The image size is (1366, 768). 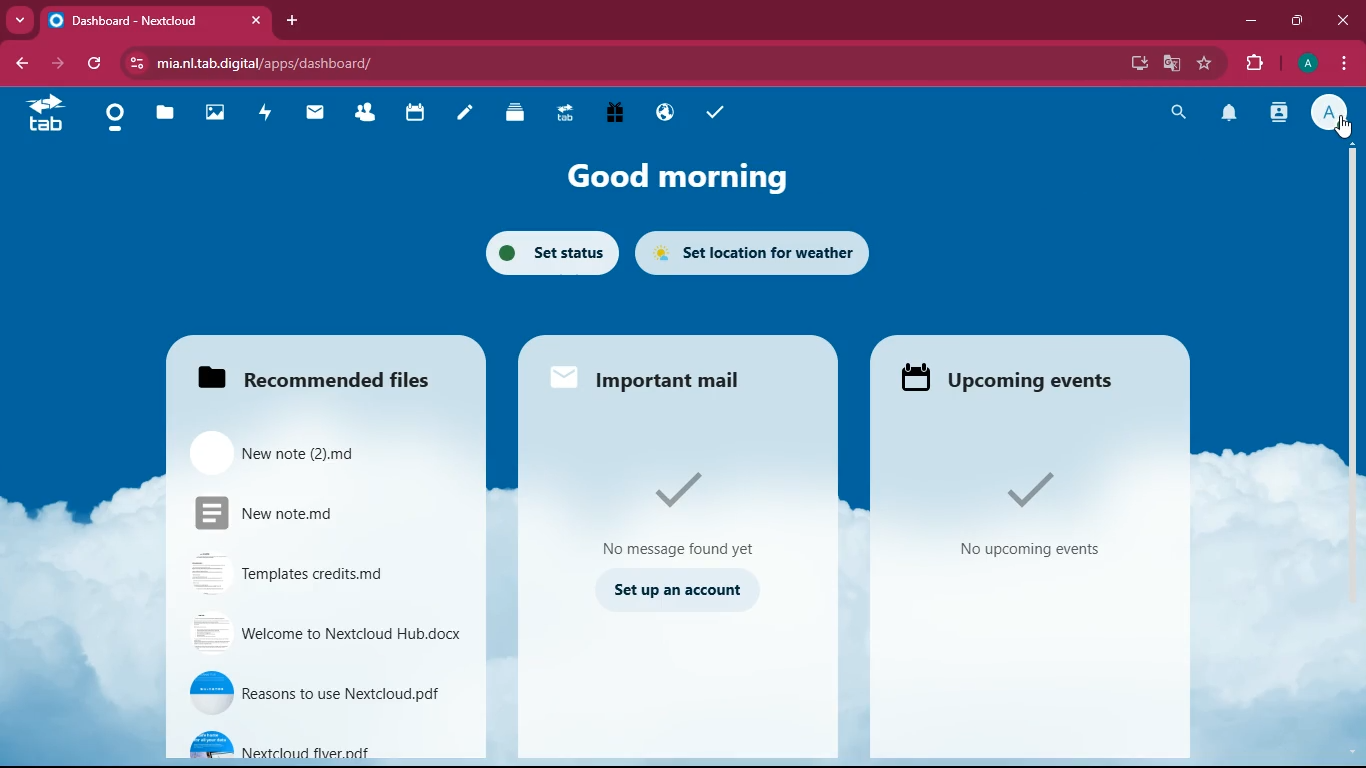 I want to click on Contacts, so click(x=366, y=114).